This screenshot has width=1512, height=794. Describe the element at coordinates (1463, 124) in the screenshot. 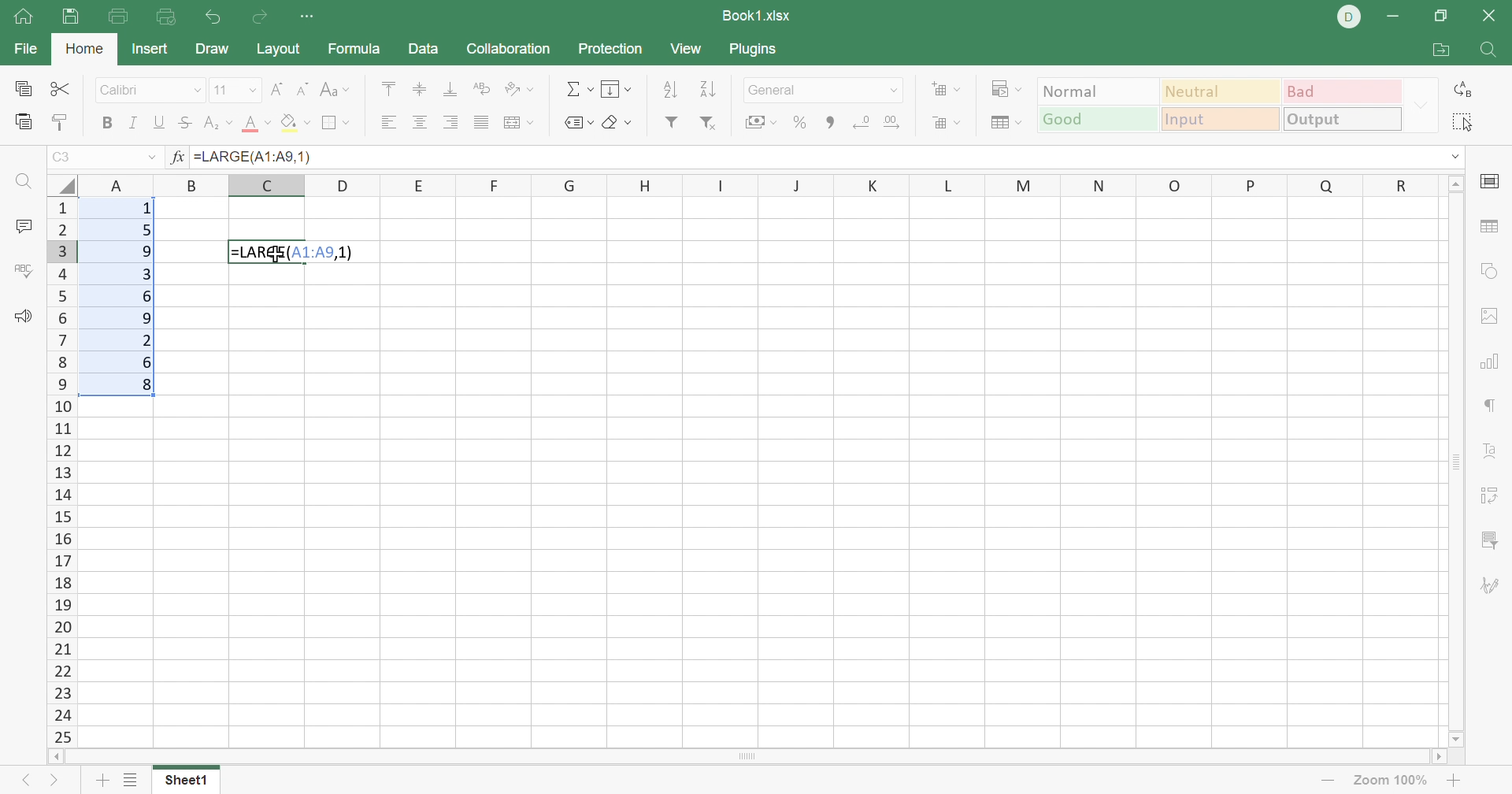

I see `Select all` at that location.